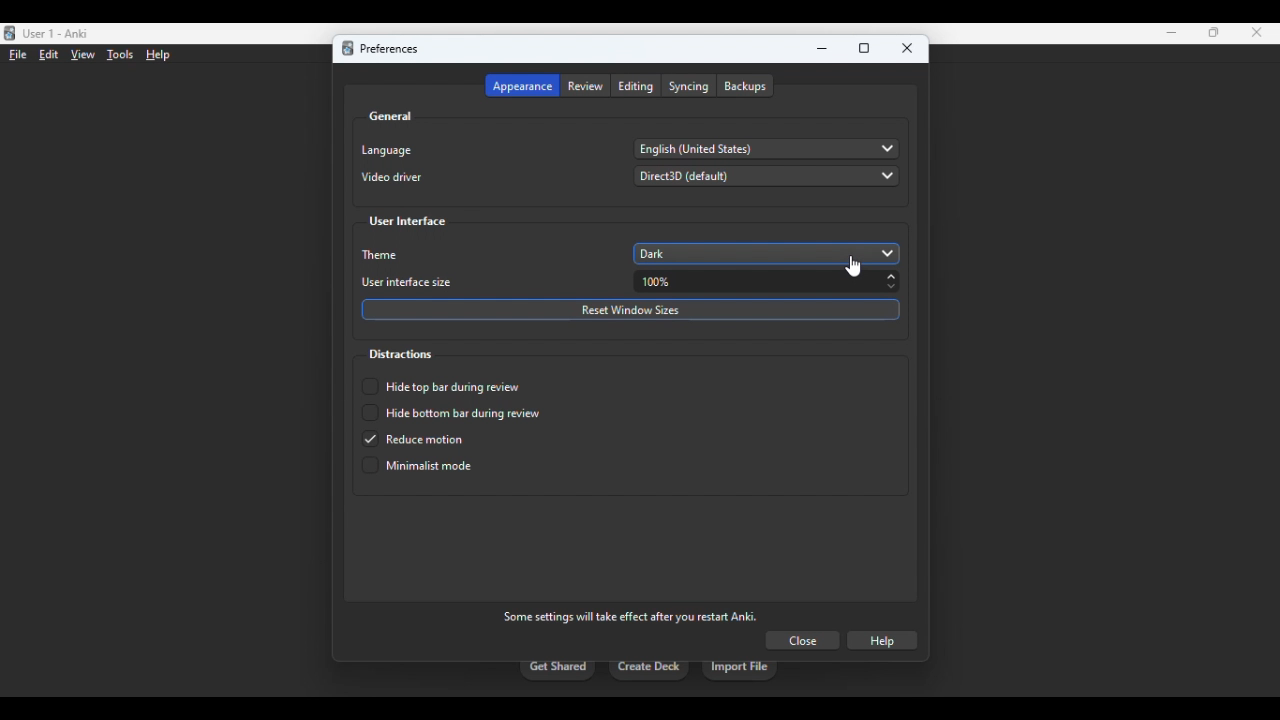 Image resolution: width=1280 pixels, height=720 pixels. What do you see at coordinates (689, 86) in the screenshot?
I see `syncing` at bounding box center [689, 86].